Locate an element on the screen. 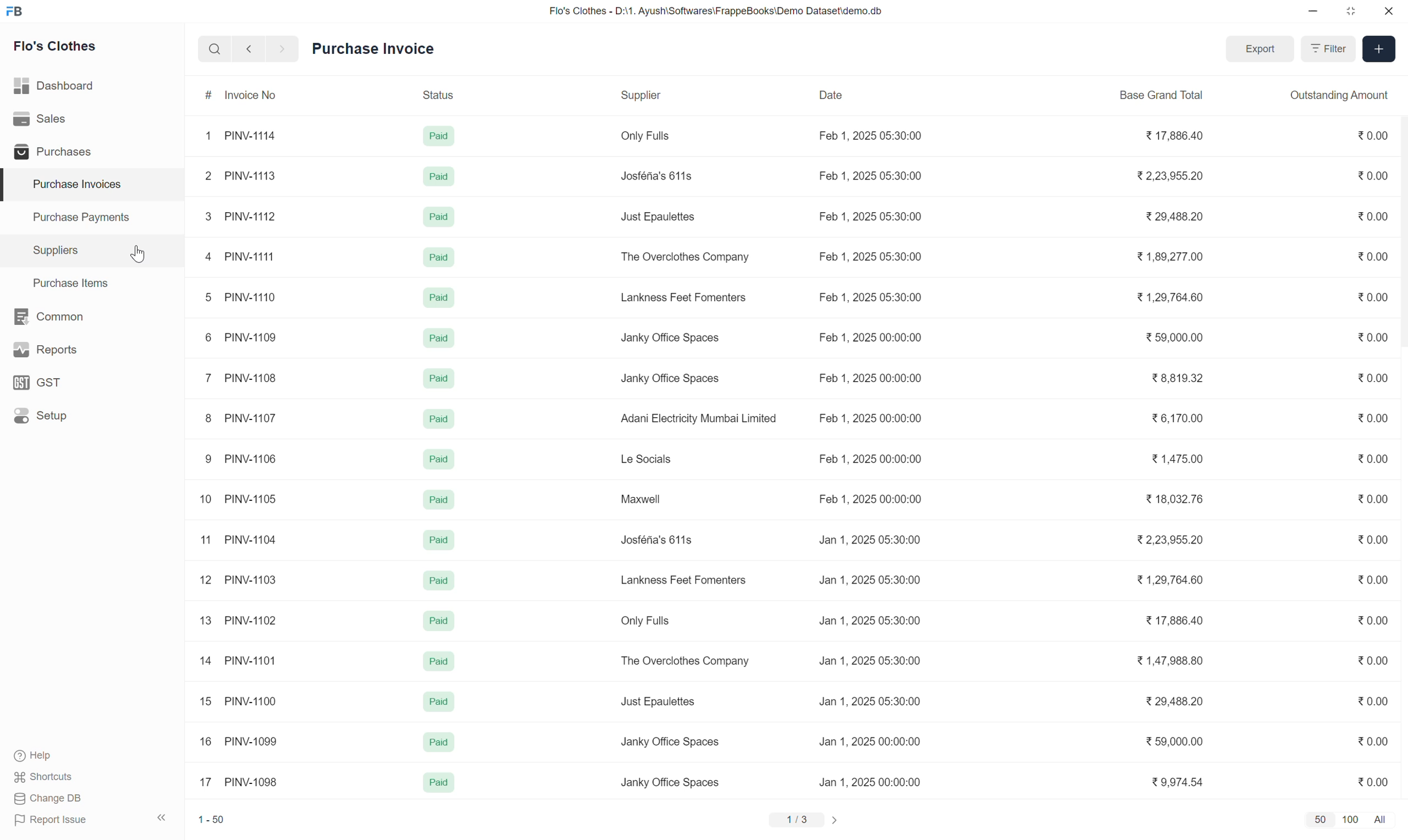  9,974.54 is located at coordinates (1178, 781).